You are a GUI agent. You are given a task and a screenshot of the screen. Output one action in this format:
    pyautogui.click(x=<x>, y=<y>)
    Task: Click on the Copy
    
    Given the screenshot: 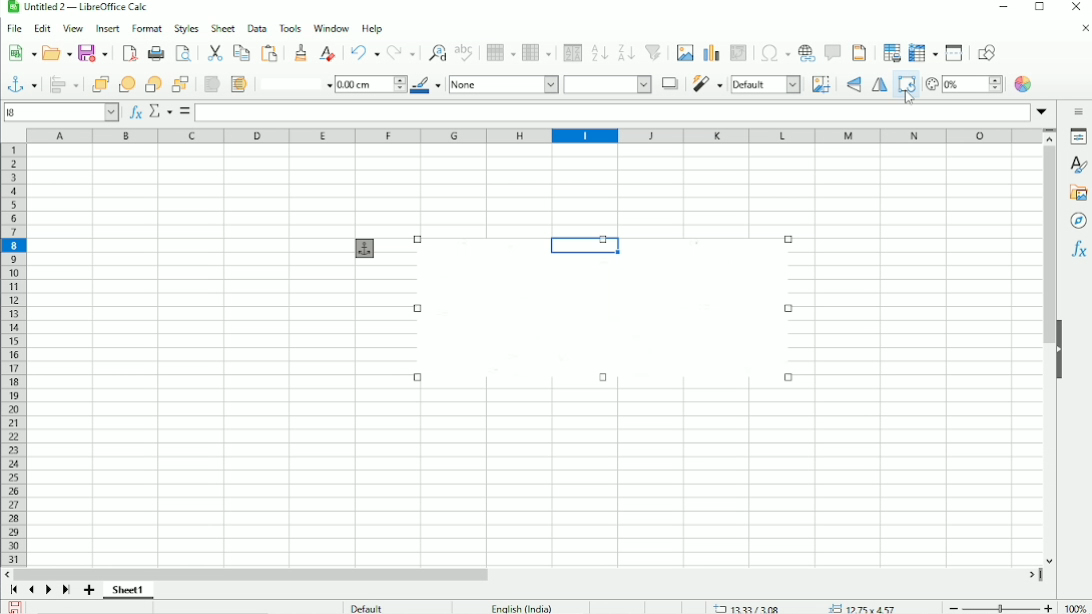 What is the action you would take?
    pyautogui.click(x=241, y=52)
    